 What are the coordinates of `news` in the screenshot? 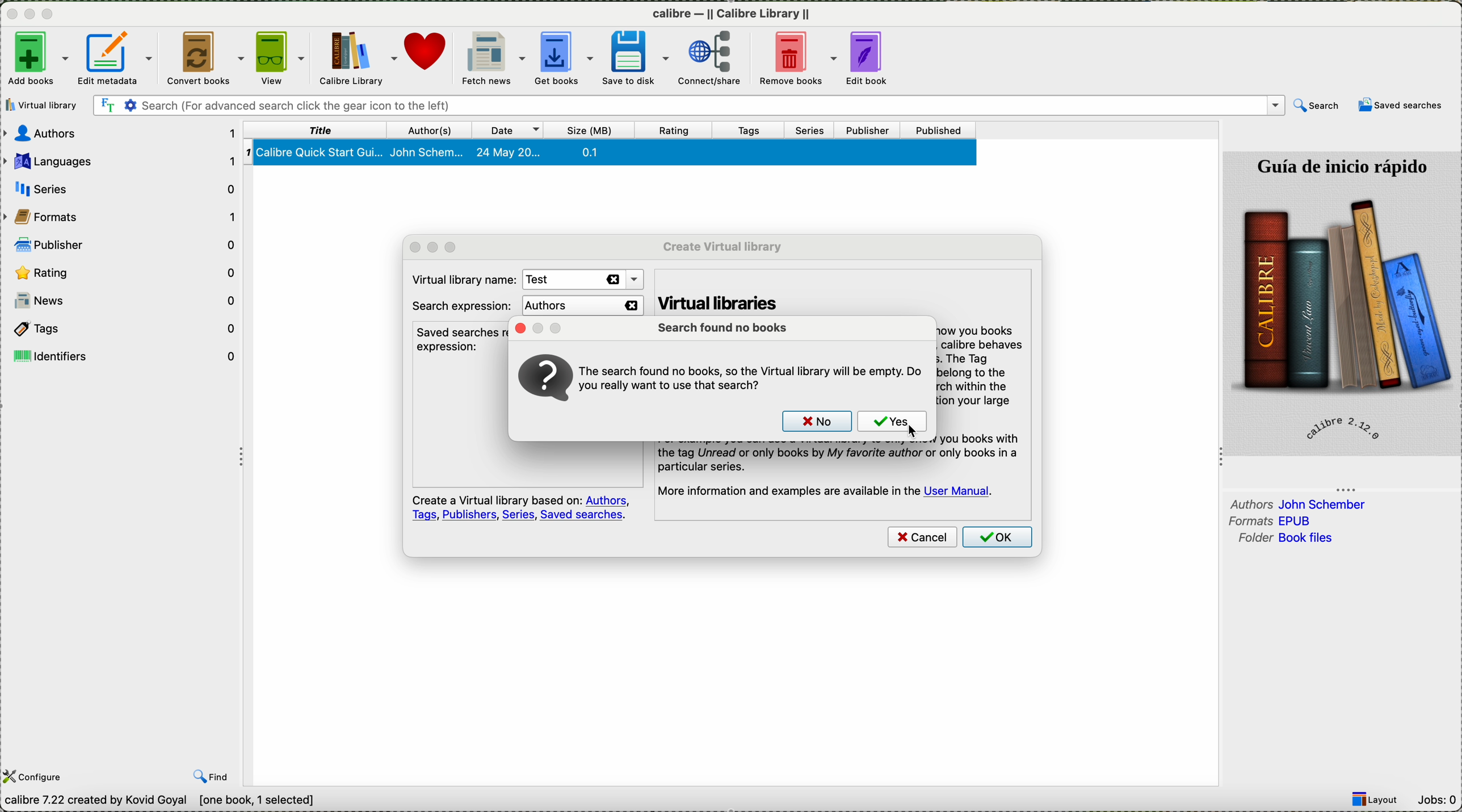 It's located at (125, 303).